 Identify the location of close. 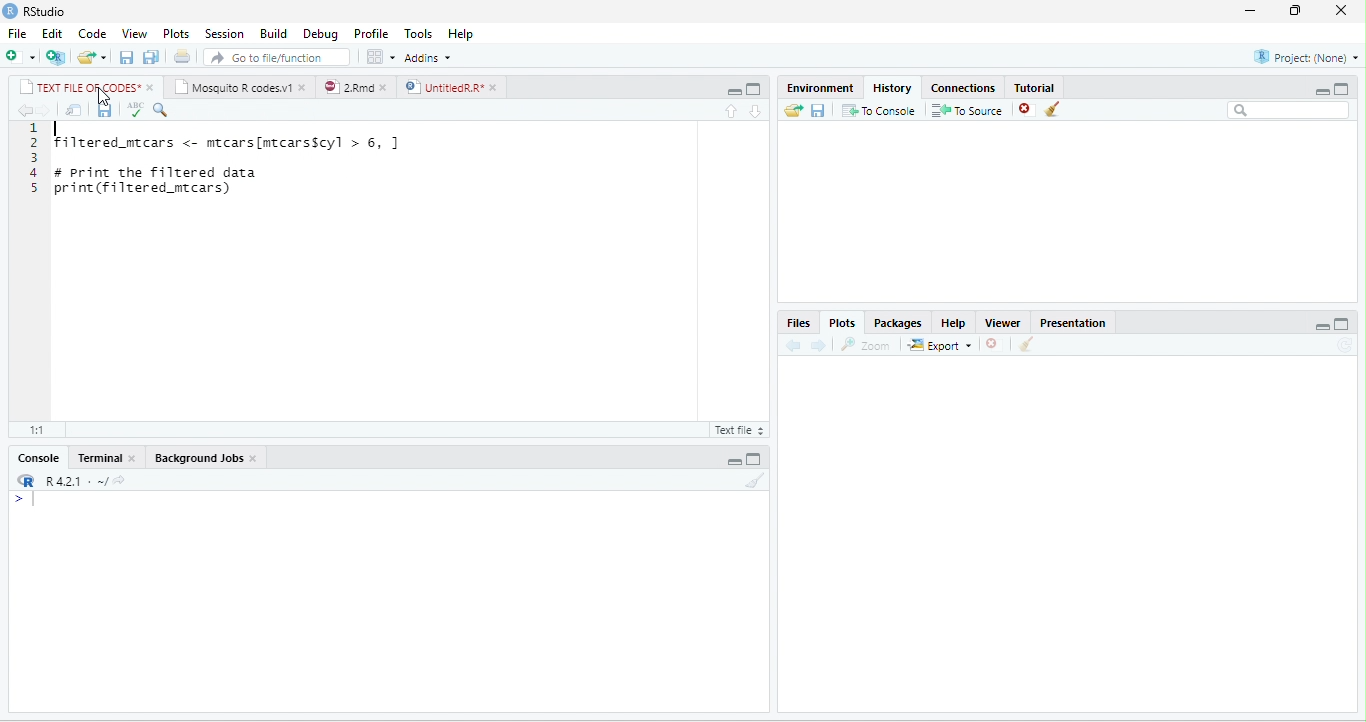
(1341, 10).